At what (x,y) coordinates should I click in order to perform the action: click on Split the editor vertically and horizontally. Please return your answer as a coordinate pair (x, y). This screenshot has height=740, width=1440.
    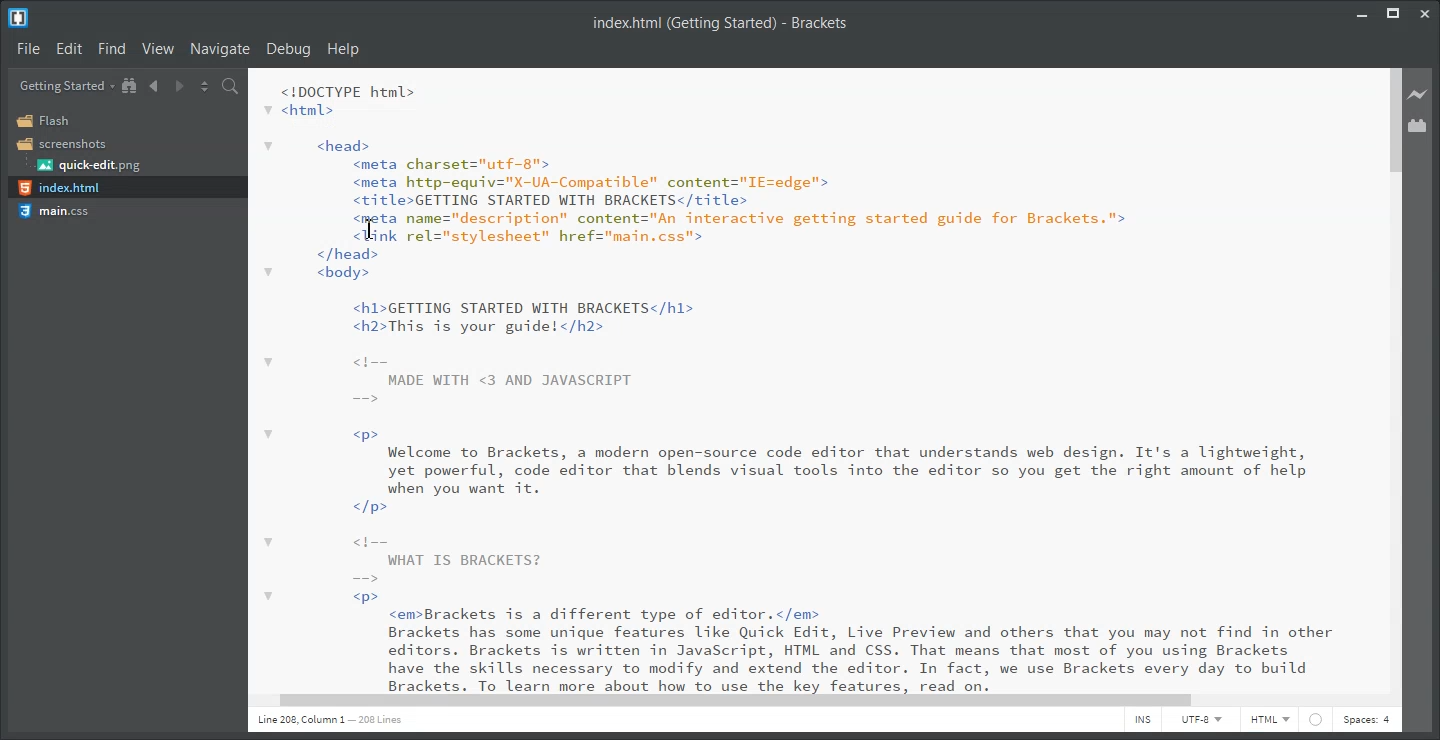
    Looking at the image, I should click on (204, 86).